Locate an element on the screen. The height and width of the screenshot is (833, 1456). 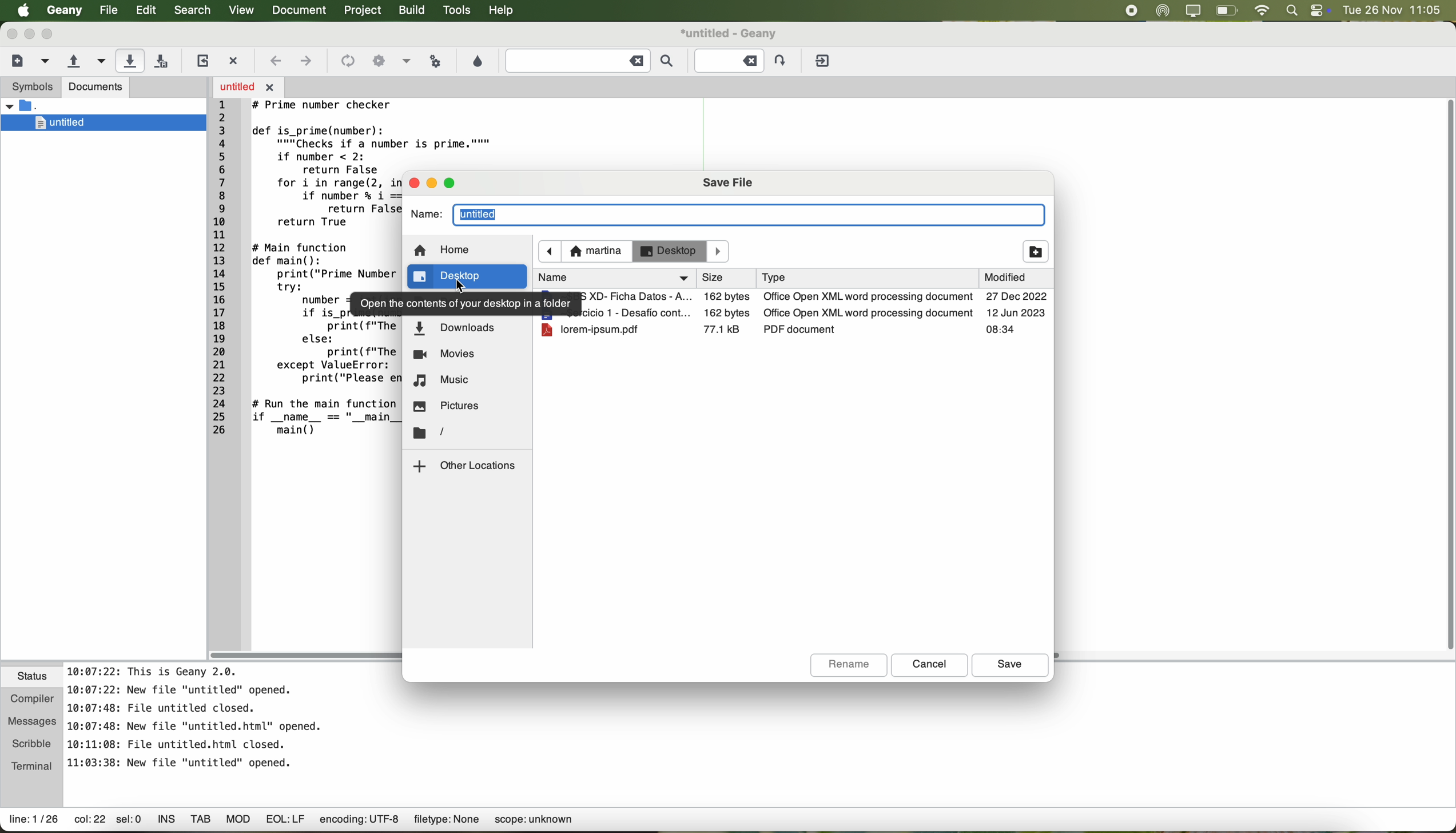
data is located at coordinates (293, 822).